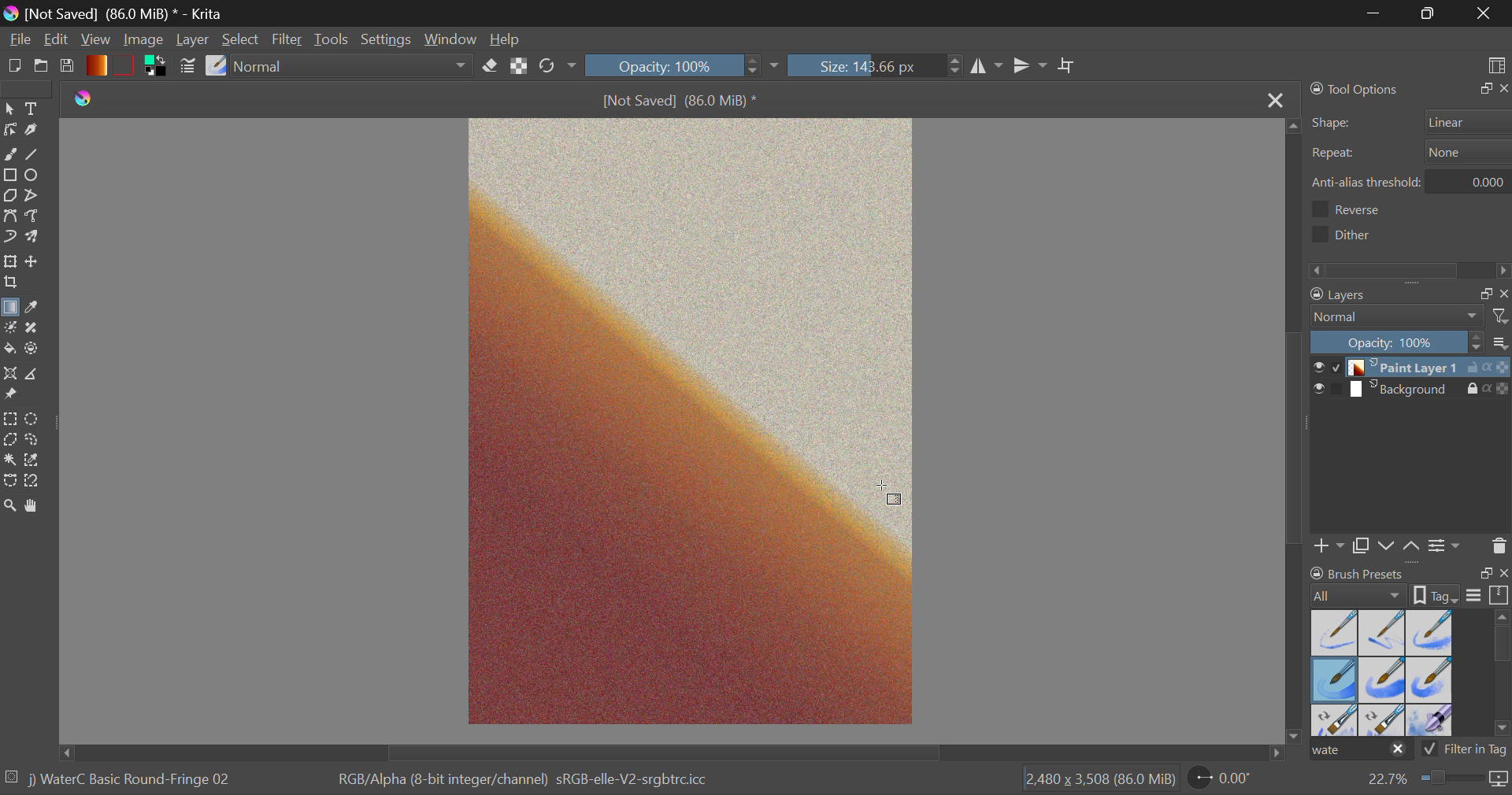  Describe the element at coordinates (1360, 547) in the screenshot. I see `copy` at that location.